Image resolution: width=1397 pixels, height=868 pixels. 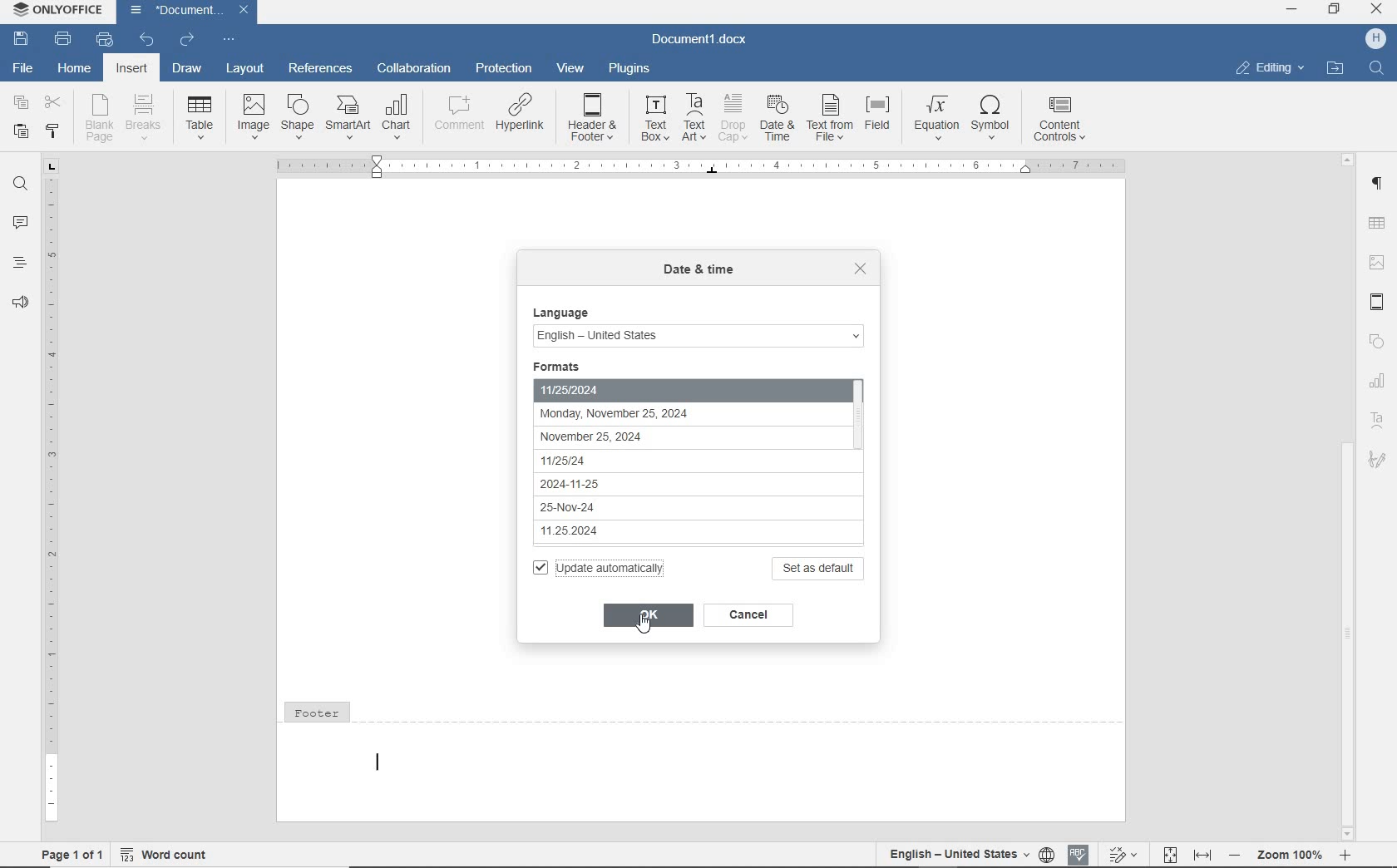 What do you see at coordinates (1047, 855) in the screenshot?
I see `set document language` at bounding box center [1047, 855].